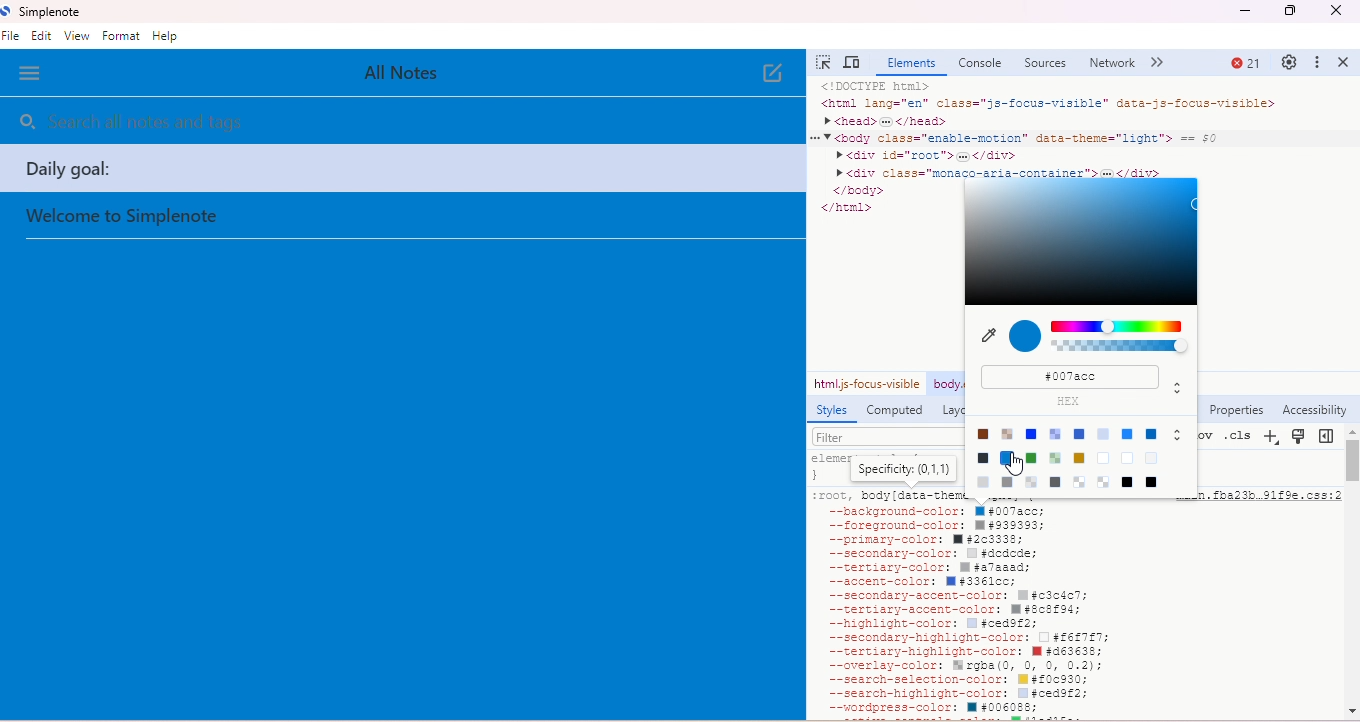 The height and width of the screenshot is (722, 1360). What do you see at coordinates (937, 708) in the screenshot?
I see `wordpress-color` at bounding box center [937, 708].